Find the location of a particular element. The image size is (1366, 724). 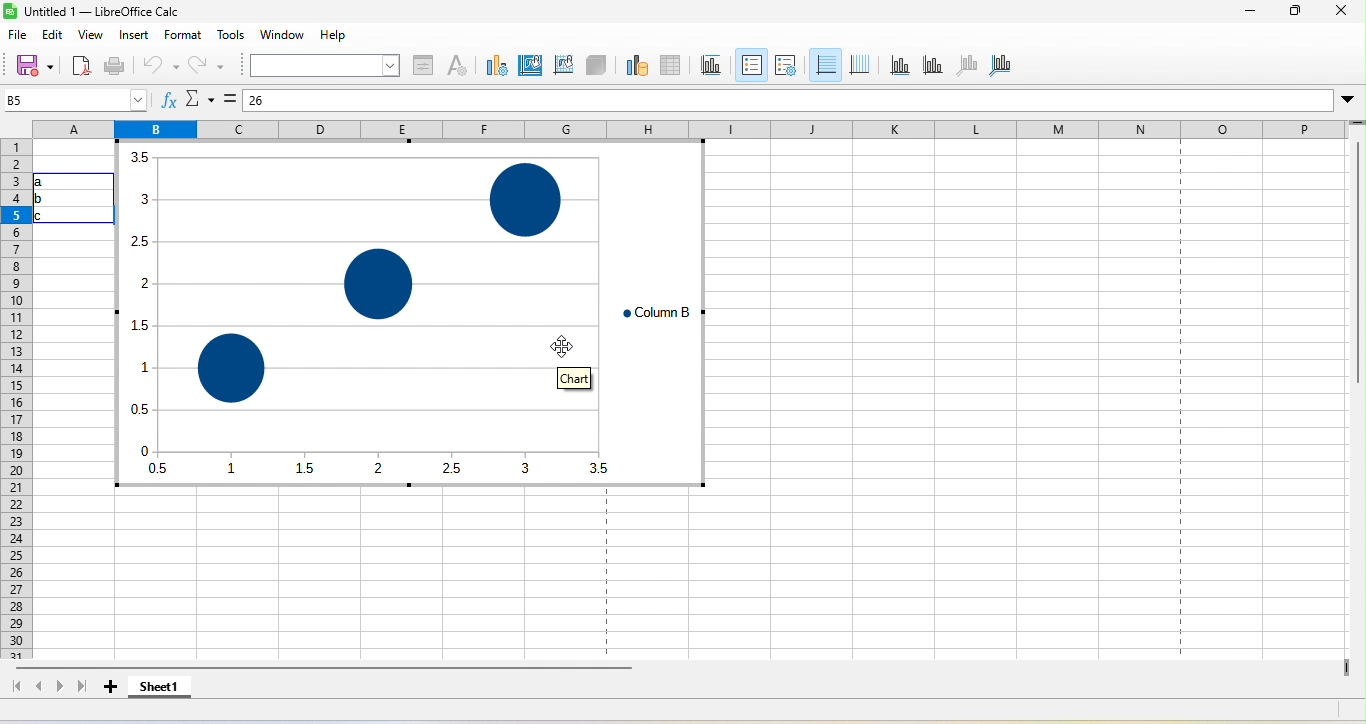

c is located at coordinates (48, 216).